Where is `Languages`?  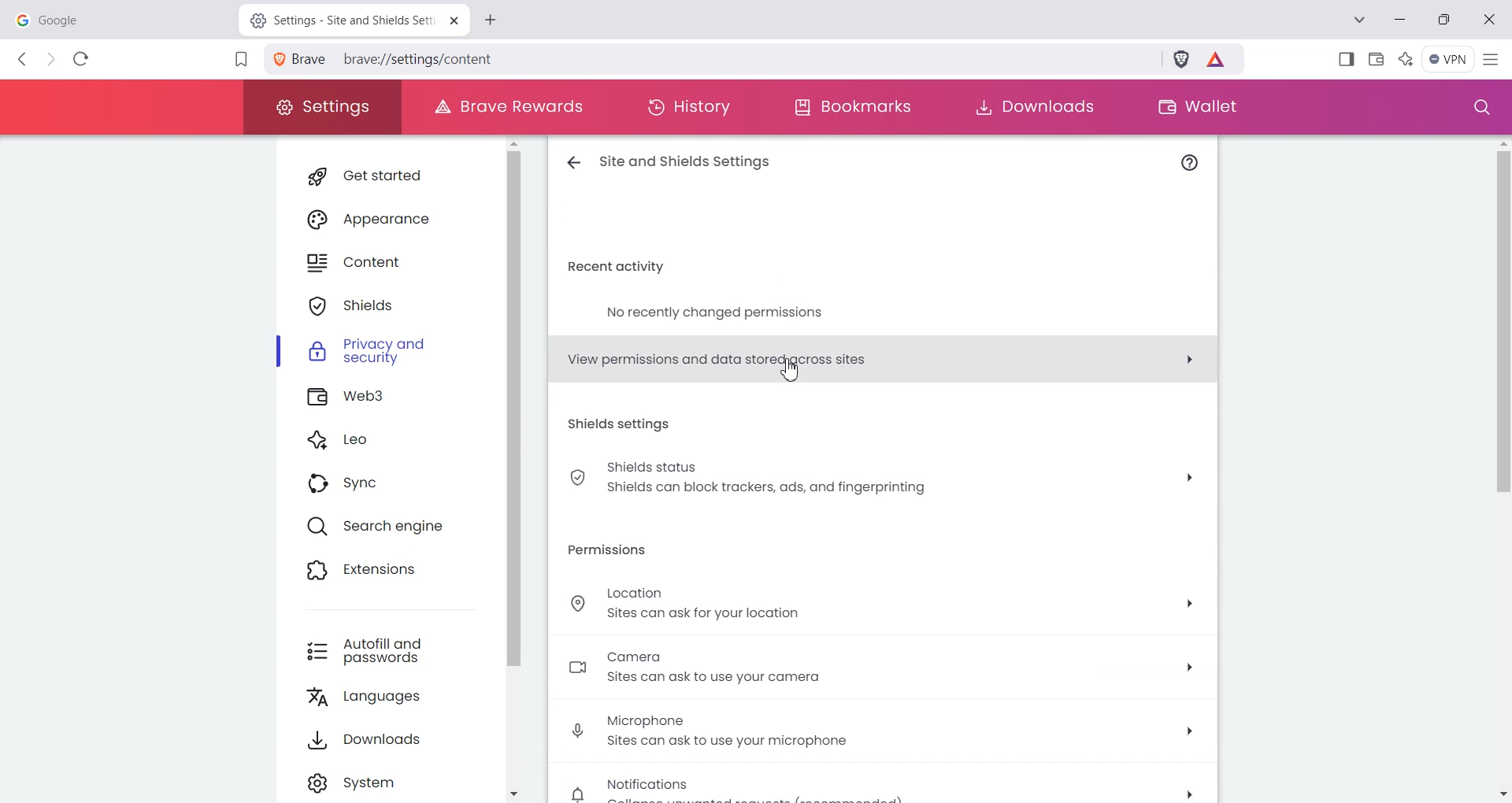
Languages is located at coordinates (396, 699).